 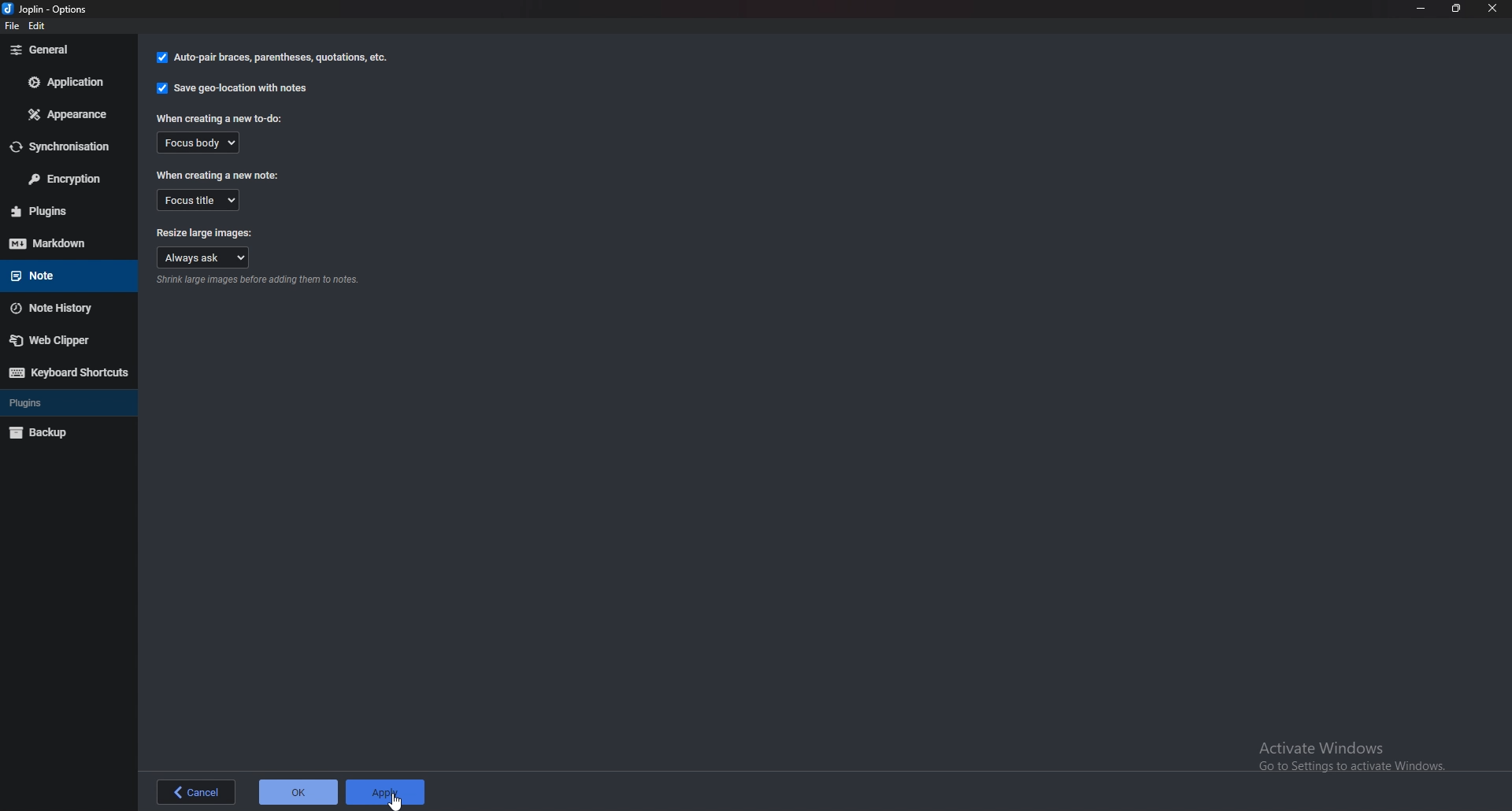 I want to click on back, so click(x=195, y=794).